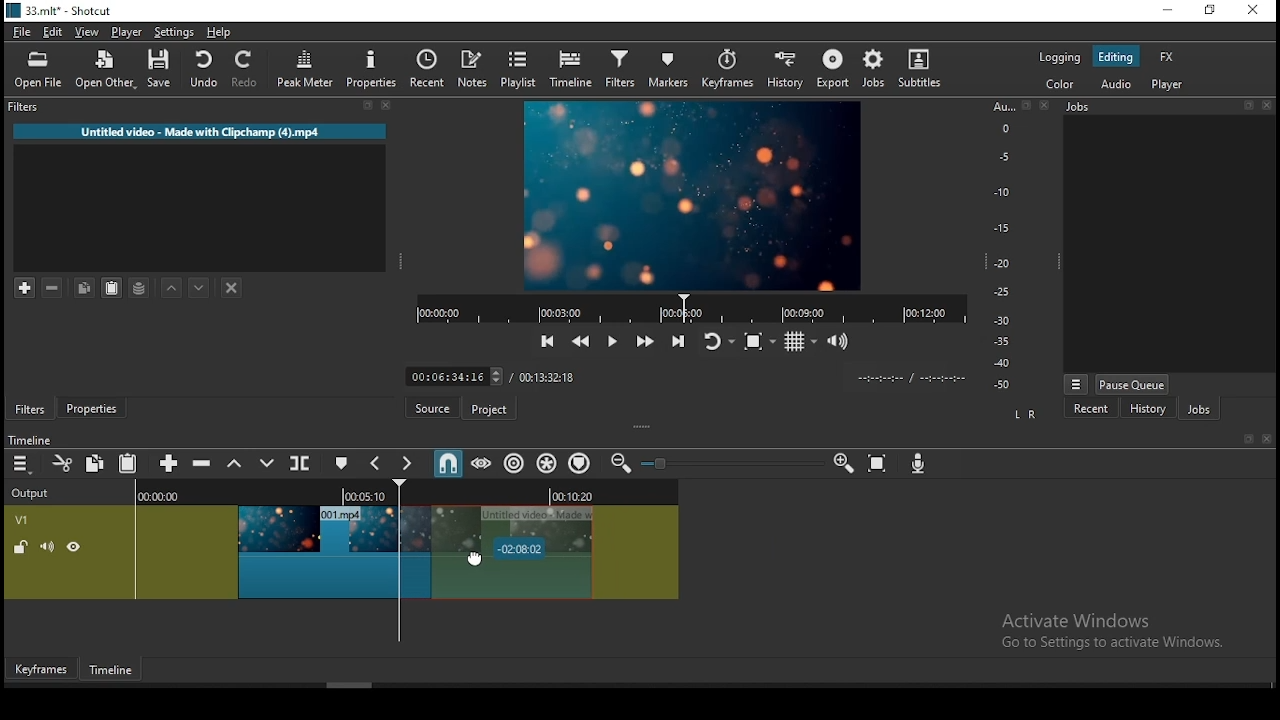 The image size is (1280, 720). What do you see at coordinates (610, 345) in the screenshot?
I see `play/pause` at bounding box center [610, 345].